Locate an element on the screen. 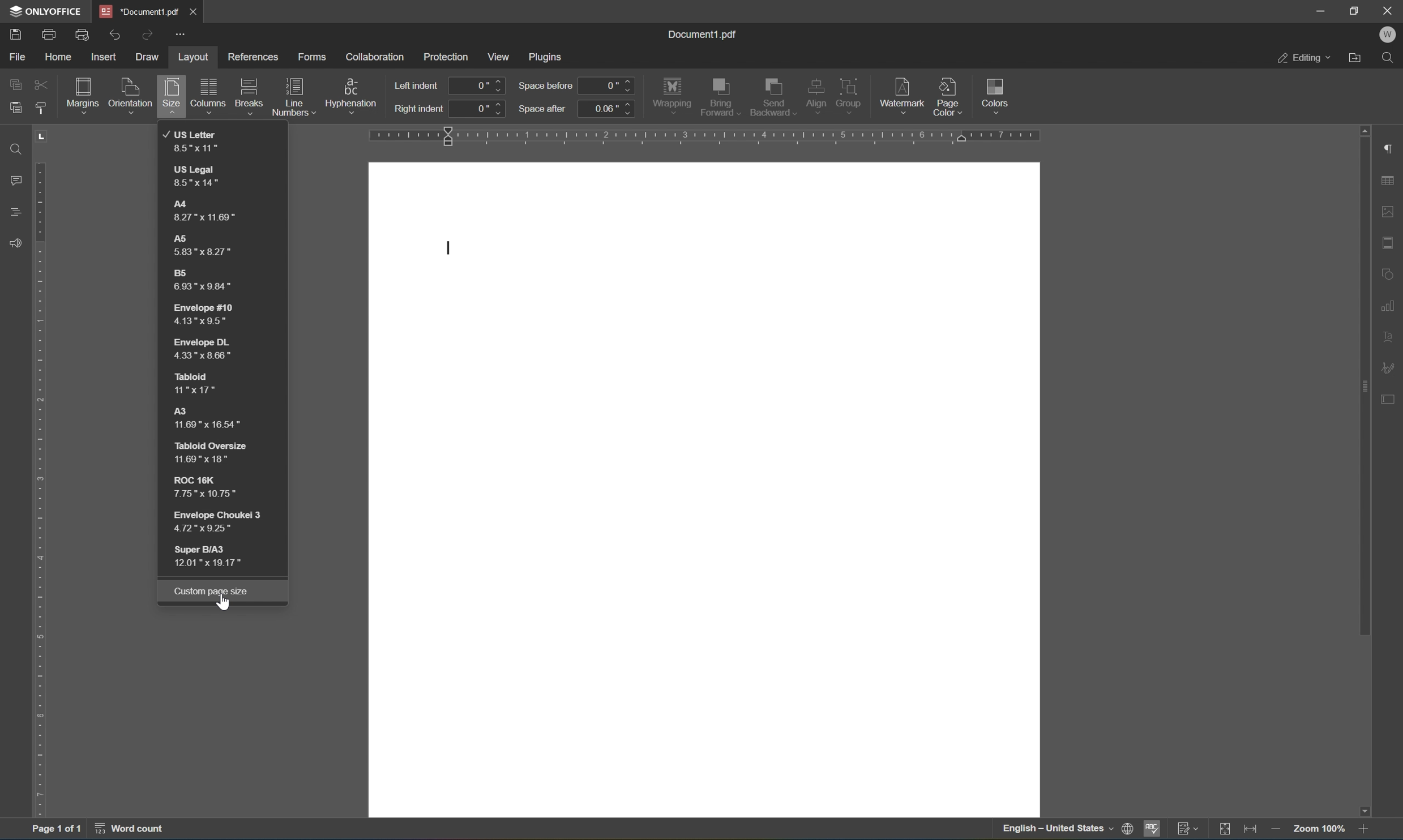 Image resolution: width=1403 pixels, height=840 pixels. watermark is located at coordinates (901, 92).